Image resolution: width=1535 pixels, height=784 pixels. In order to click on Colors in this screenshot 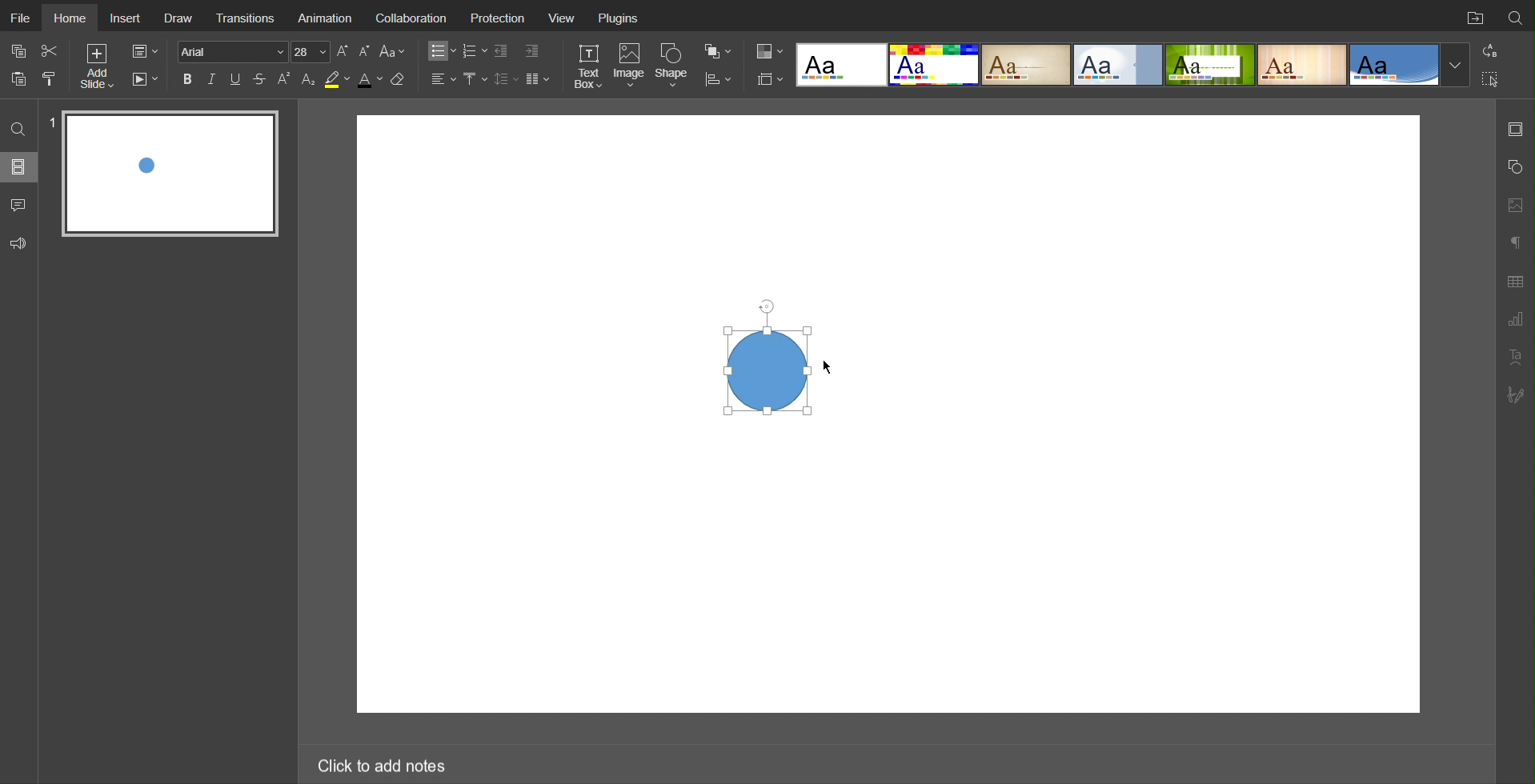, I will do `click(767, 50)`.